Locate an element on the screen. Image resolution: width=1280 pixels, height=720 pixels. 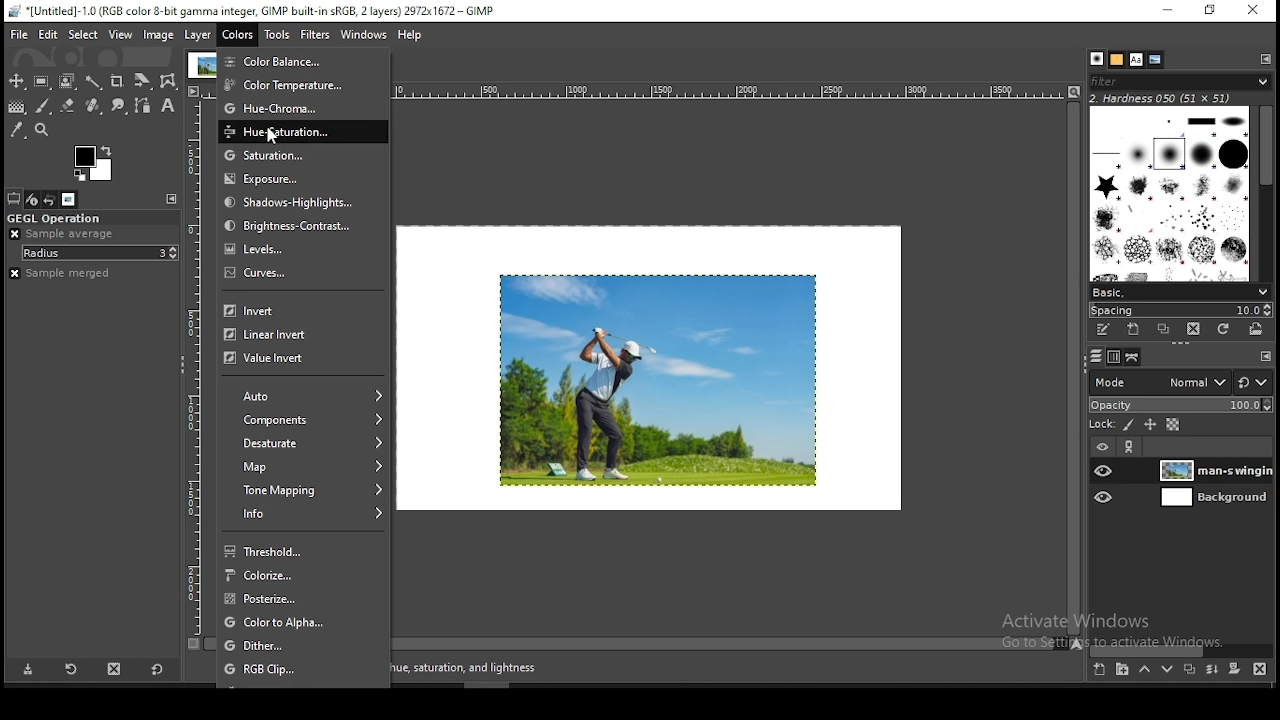
exposure is located at coordinates (304, 178).